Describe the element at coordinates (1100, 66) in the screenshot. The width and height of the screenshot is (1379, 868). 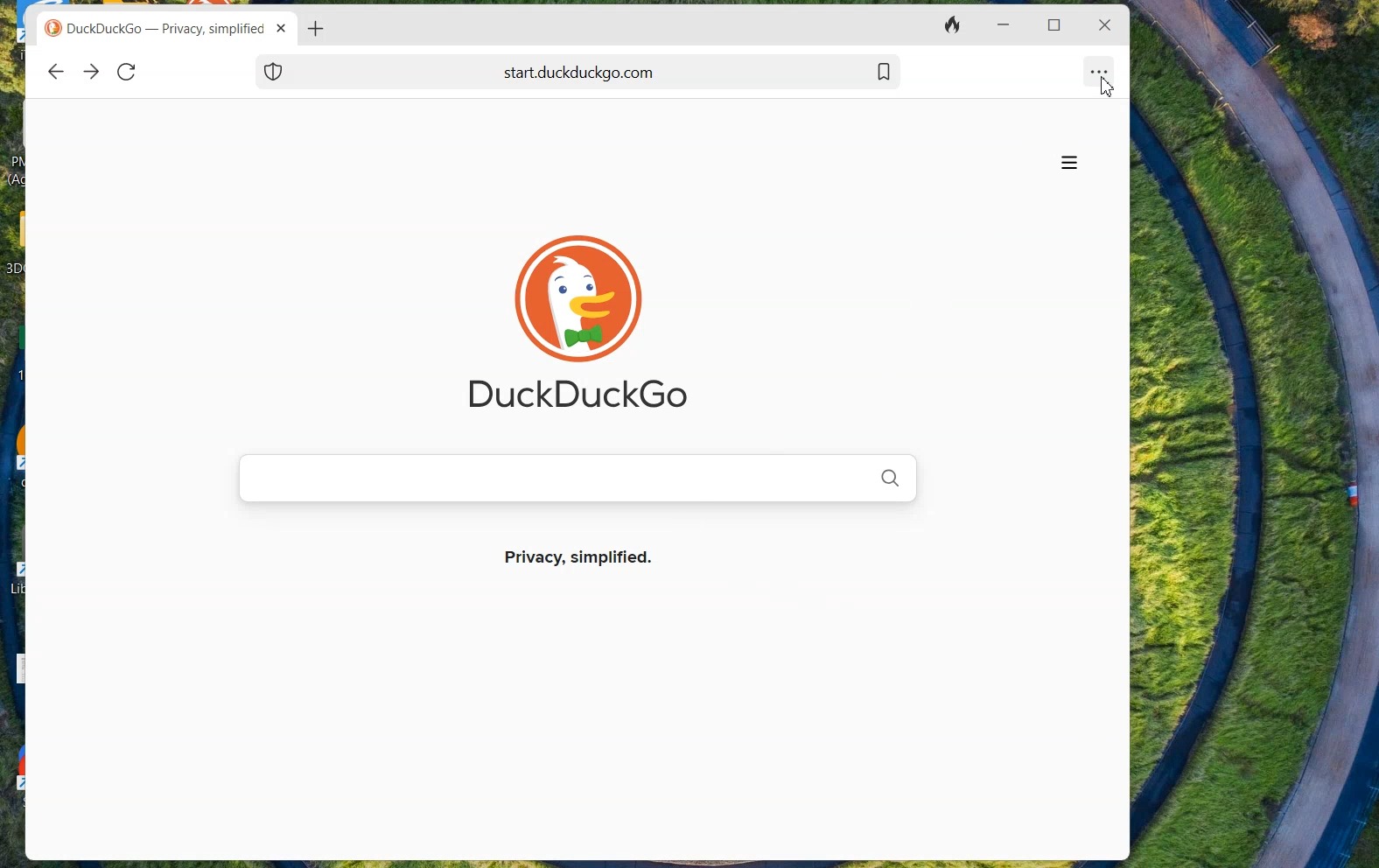
I see `Option` at that location.